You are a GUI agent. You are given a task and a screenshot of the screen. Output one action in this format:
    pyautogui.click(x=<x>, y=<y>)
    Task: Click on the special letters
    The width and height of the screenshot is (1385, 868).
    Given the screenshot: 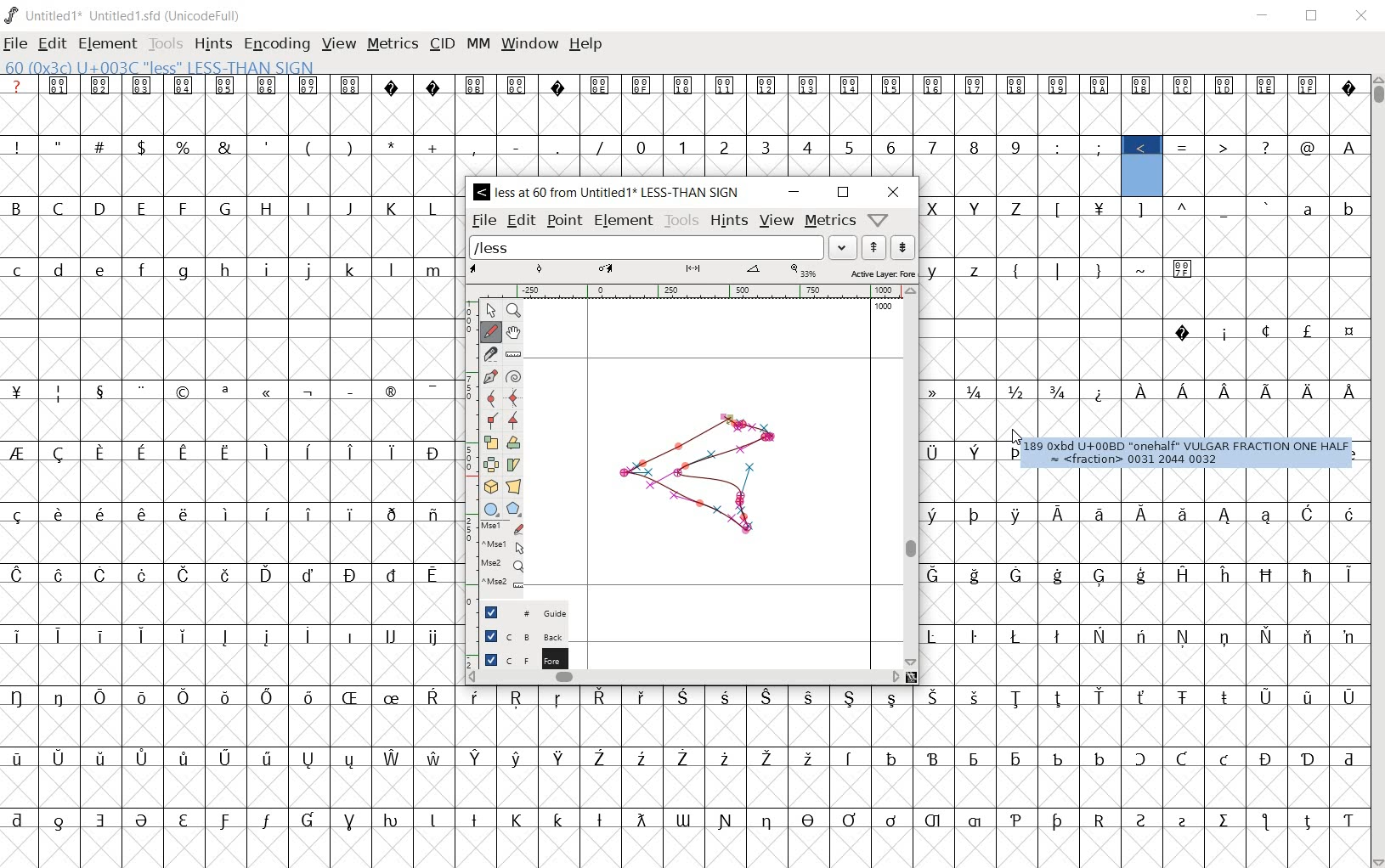 What is the action you would take?
    pyautogui.click(x=689, y=757)
    